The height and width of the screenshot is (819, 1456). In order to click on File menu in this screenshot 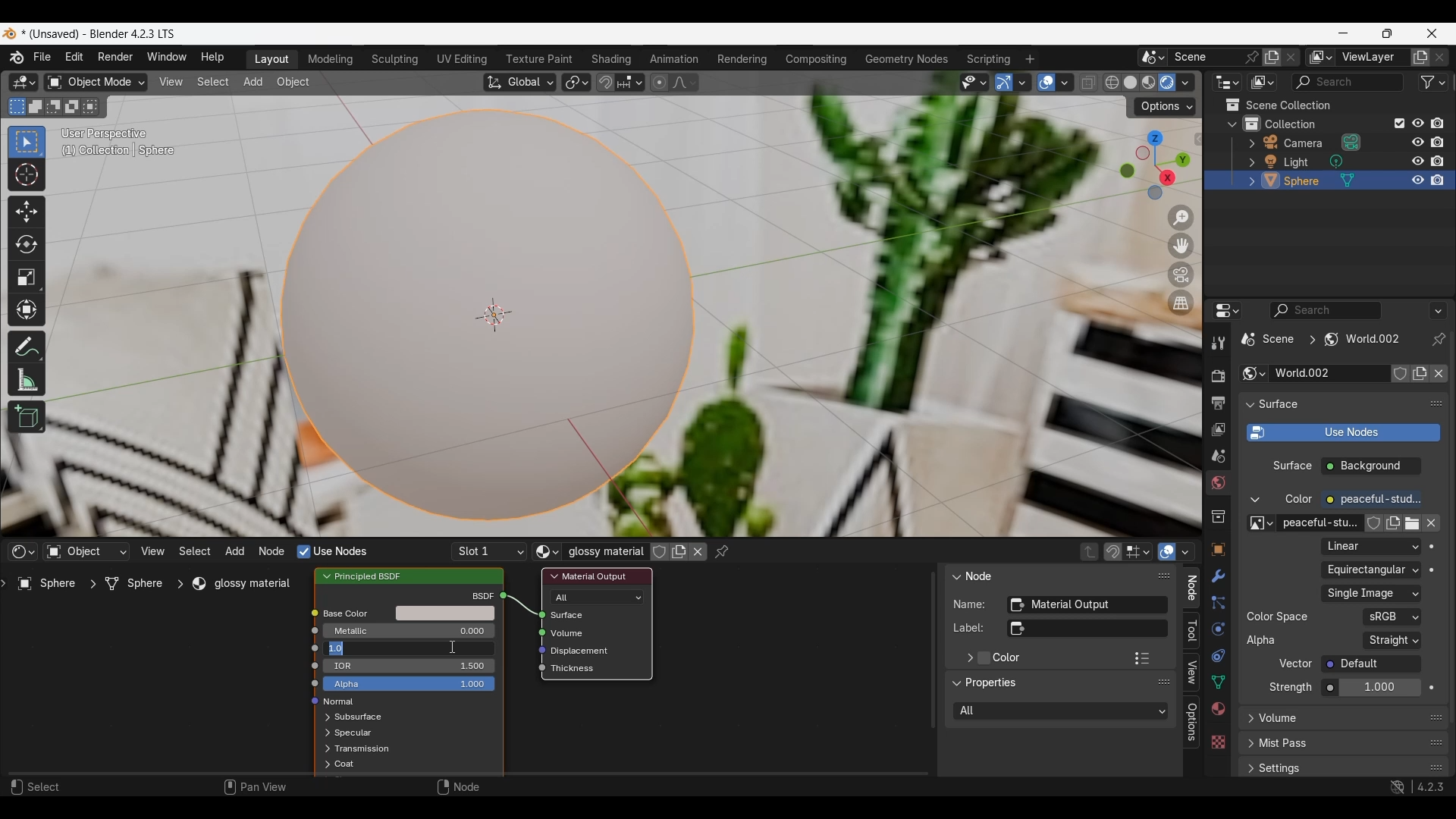, I will do `click(42, 58)`.